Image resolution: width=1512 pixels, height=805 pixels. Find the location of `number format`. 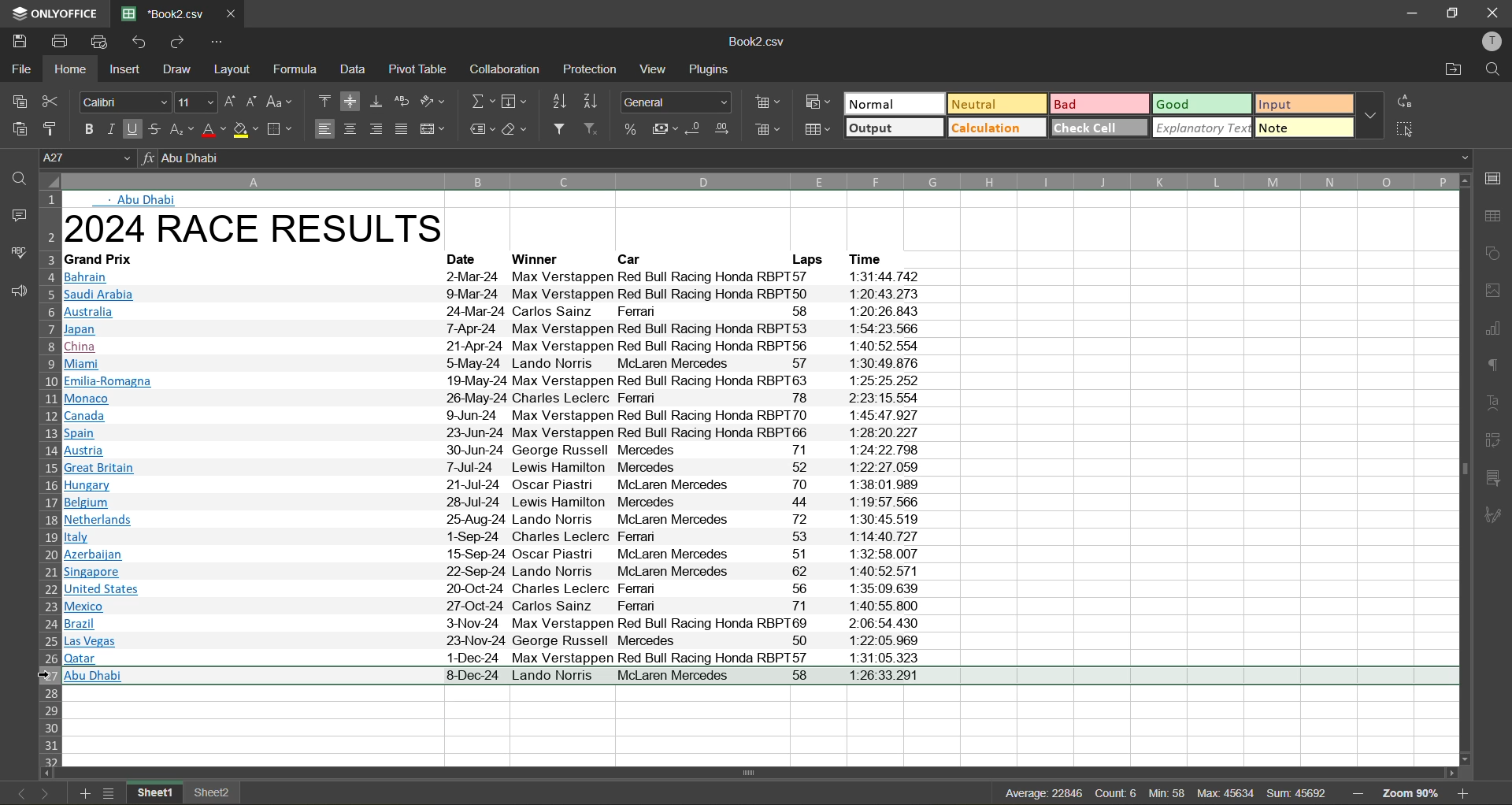

number format is located at coordinates (680, 100).